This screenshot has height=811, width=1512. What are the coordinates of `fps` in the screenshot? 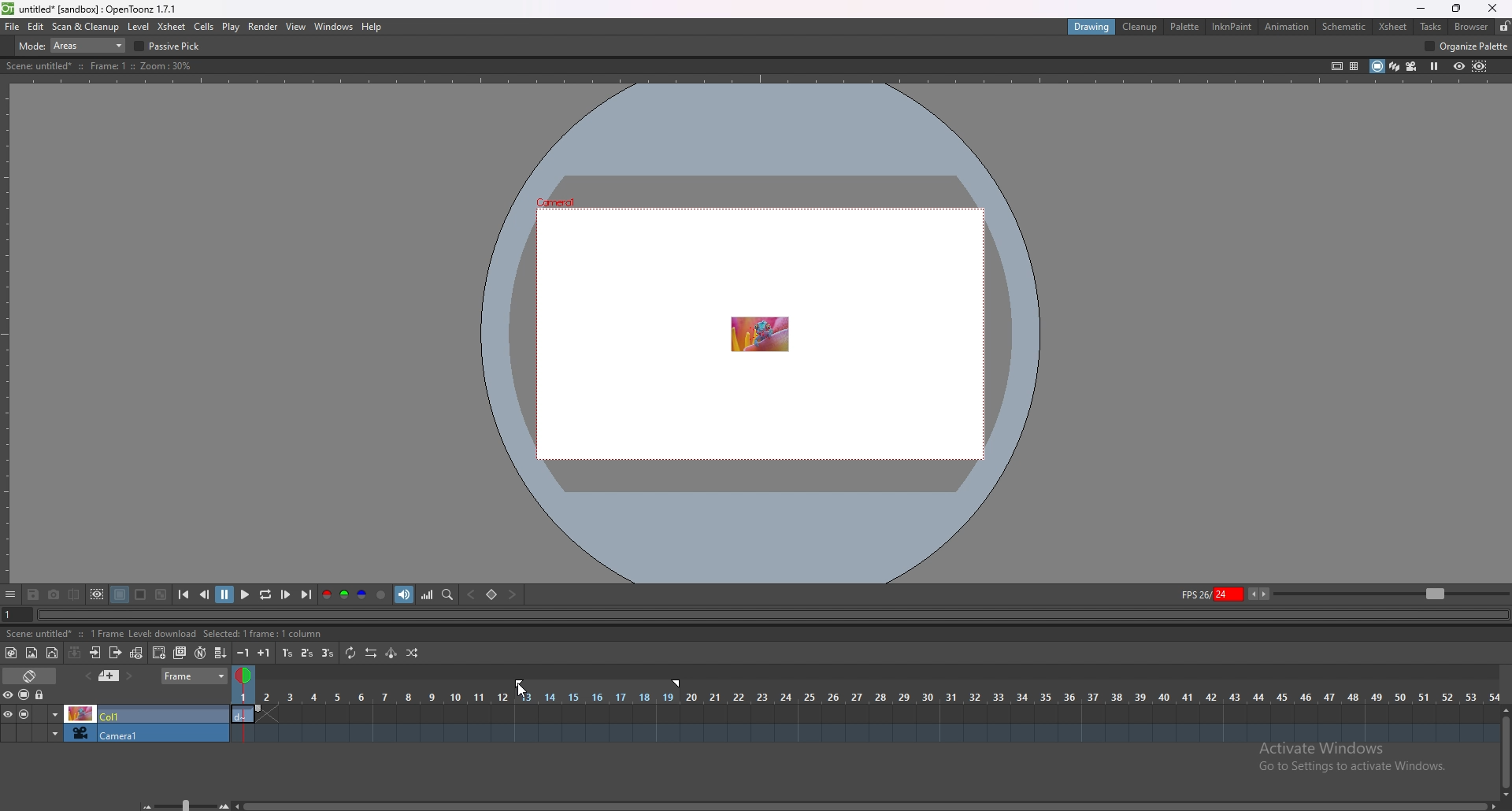 It's located at (1225, 594).